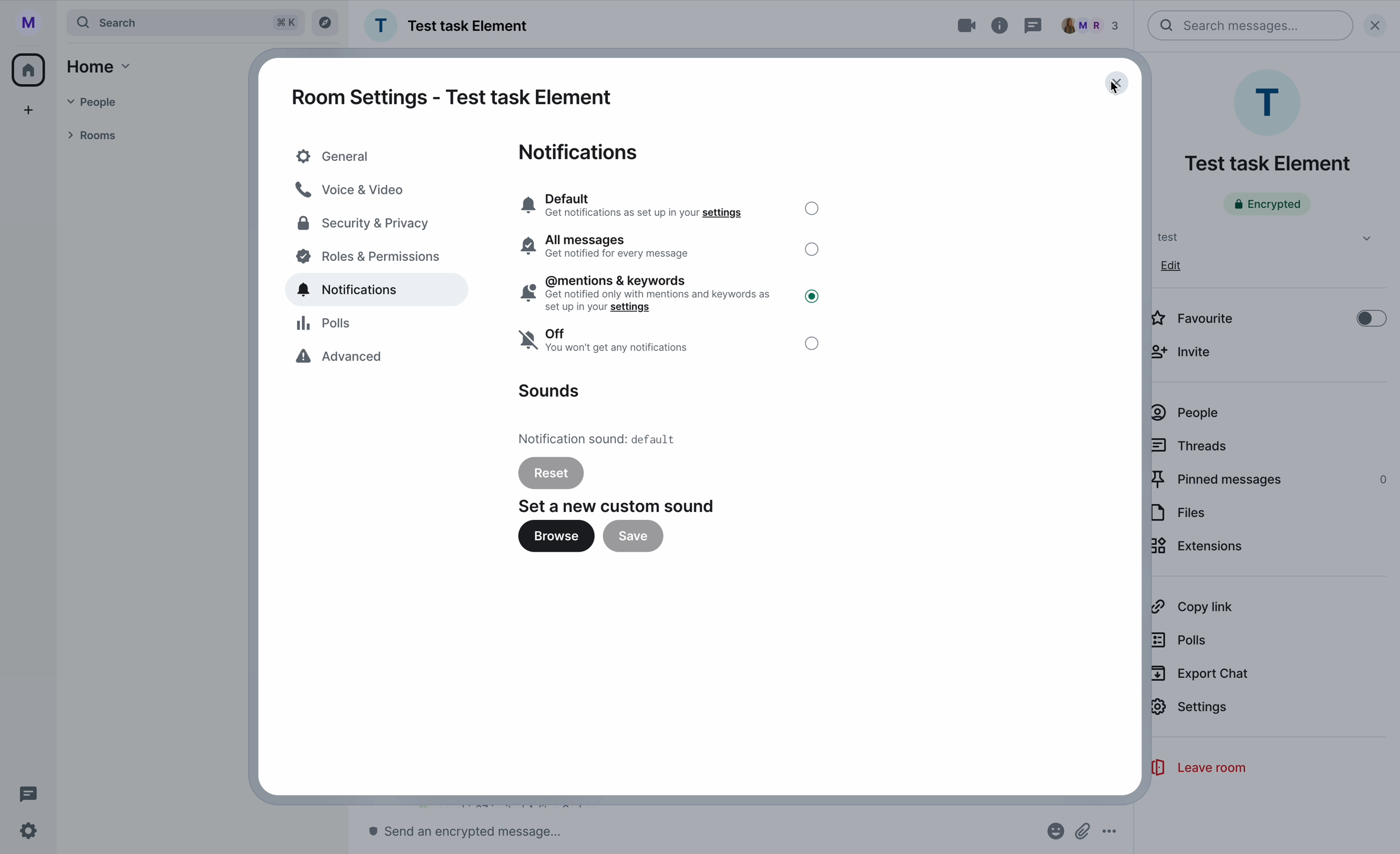 The height and width of the screenshot is (854, 1400). I want to click on name group, so click(449, 26).